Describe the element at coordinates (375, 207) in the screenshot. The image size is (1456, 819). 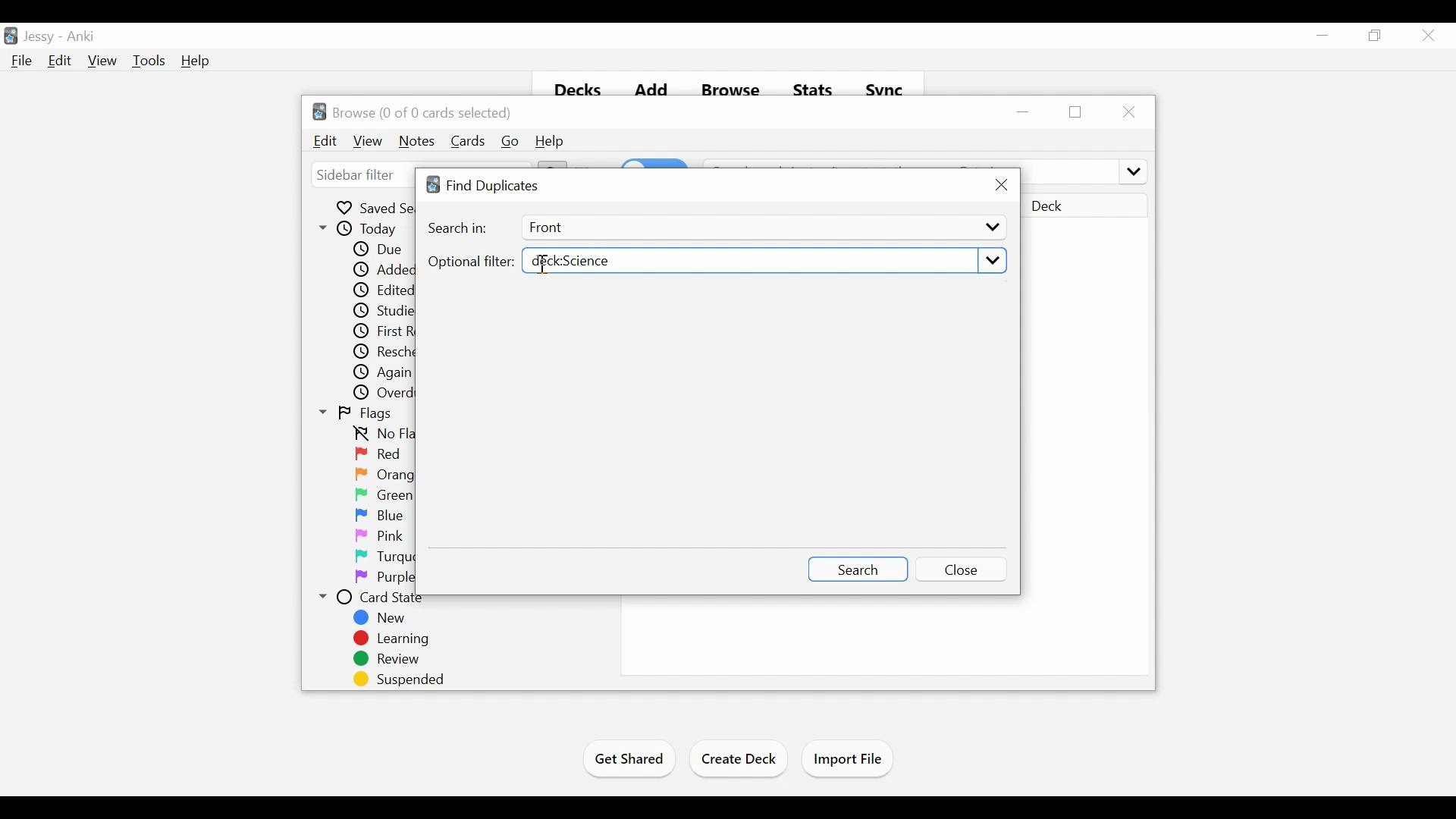
I see `Saved Searches` at that location.